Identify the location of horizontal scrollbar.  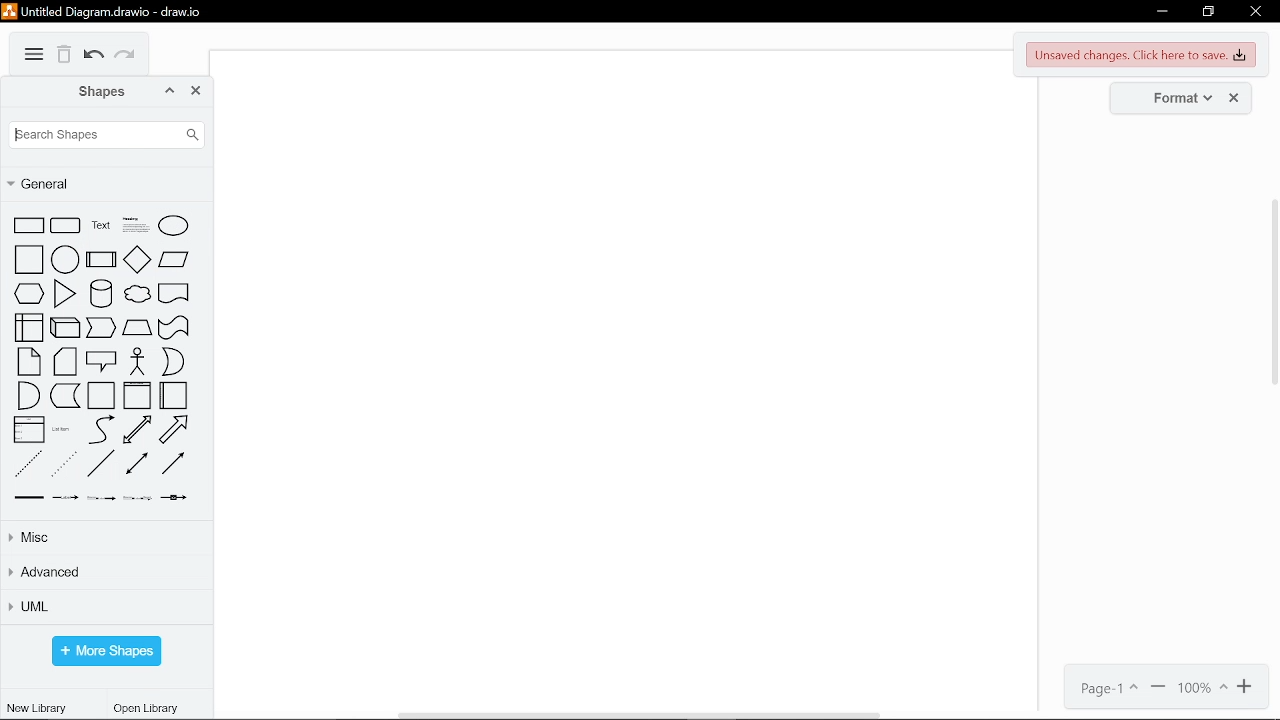
(642, 715).